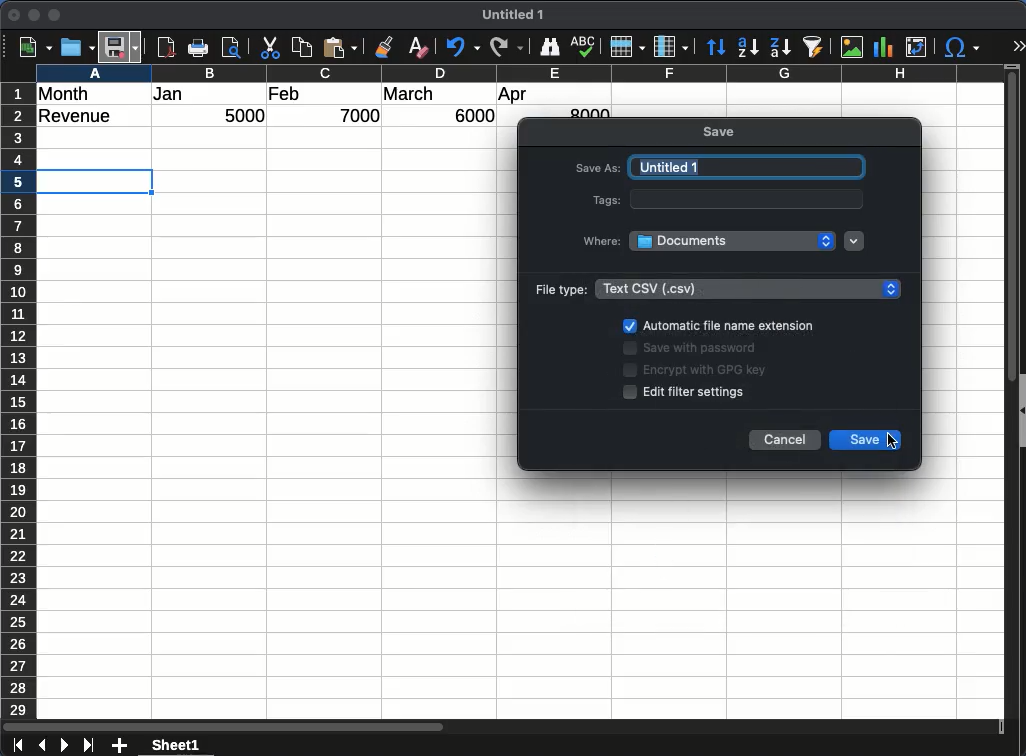 Image resolution: width=1026 pixels, height=756 pixels. What do you see at coordinates (550, 47) in the screenshot?
I see `finder` at bounding box center [550, 47].